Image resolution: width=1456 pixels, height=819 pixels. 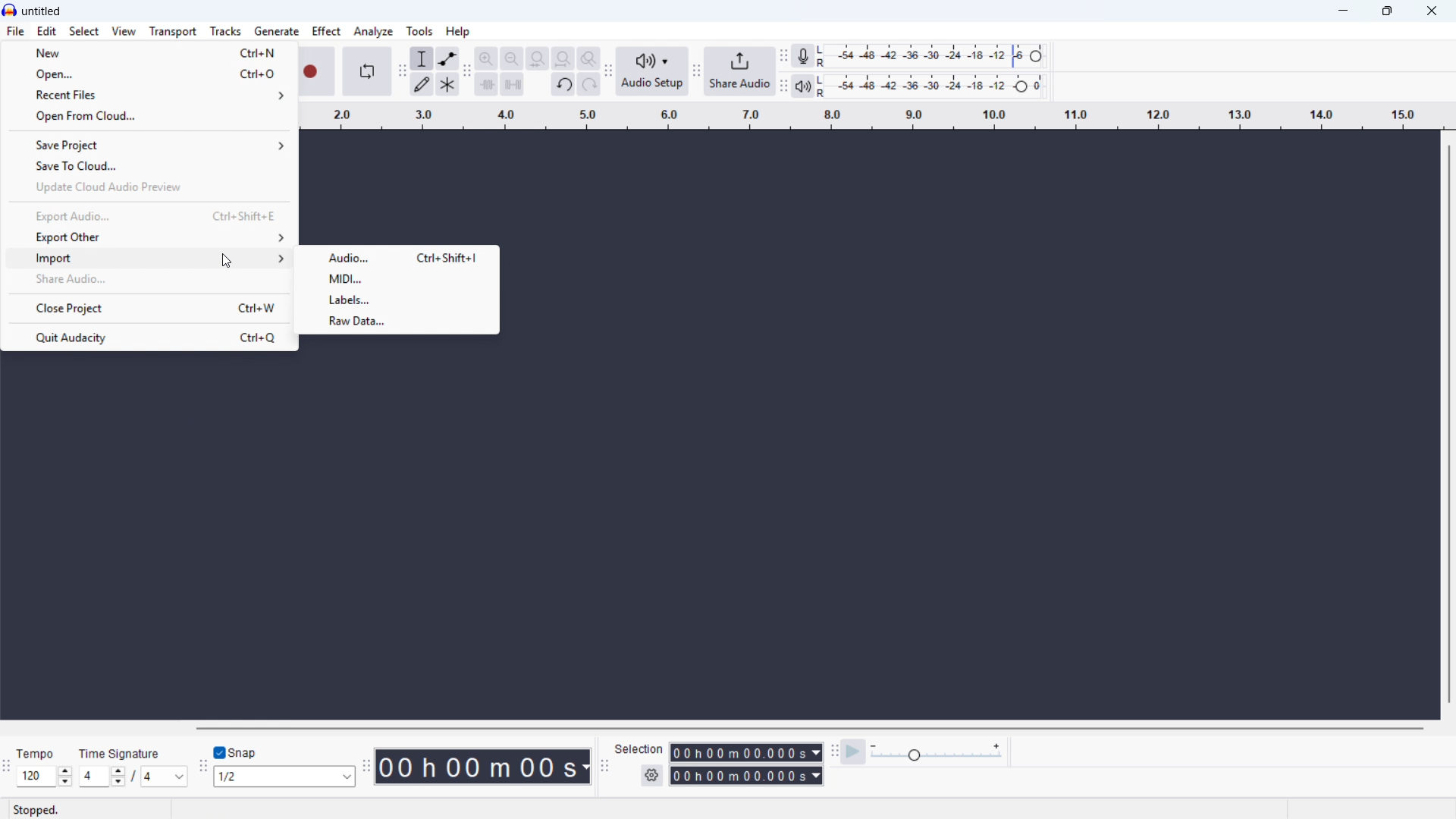 What do you see at coordinates (936, 55) in the screenshot?
I see `Recording level ` at bounding box center [936, 55].